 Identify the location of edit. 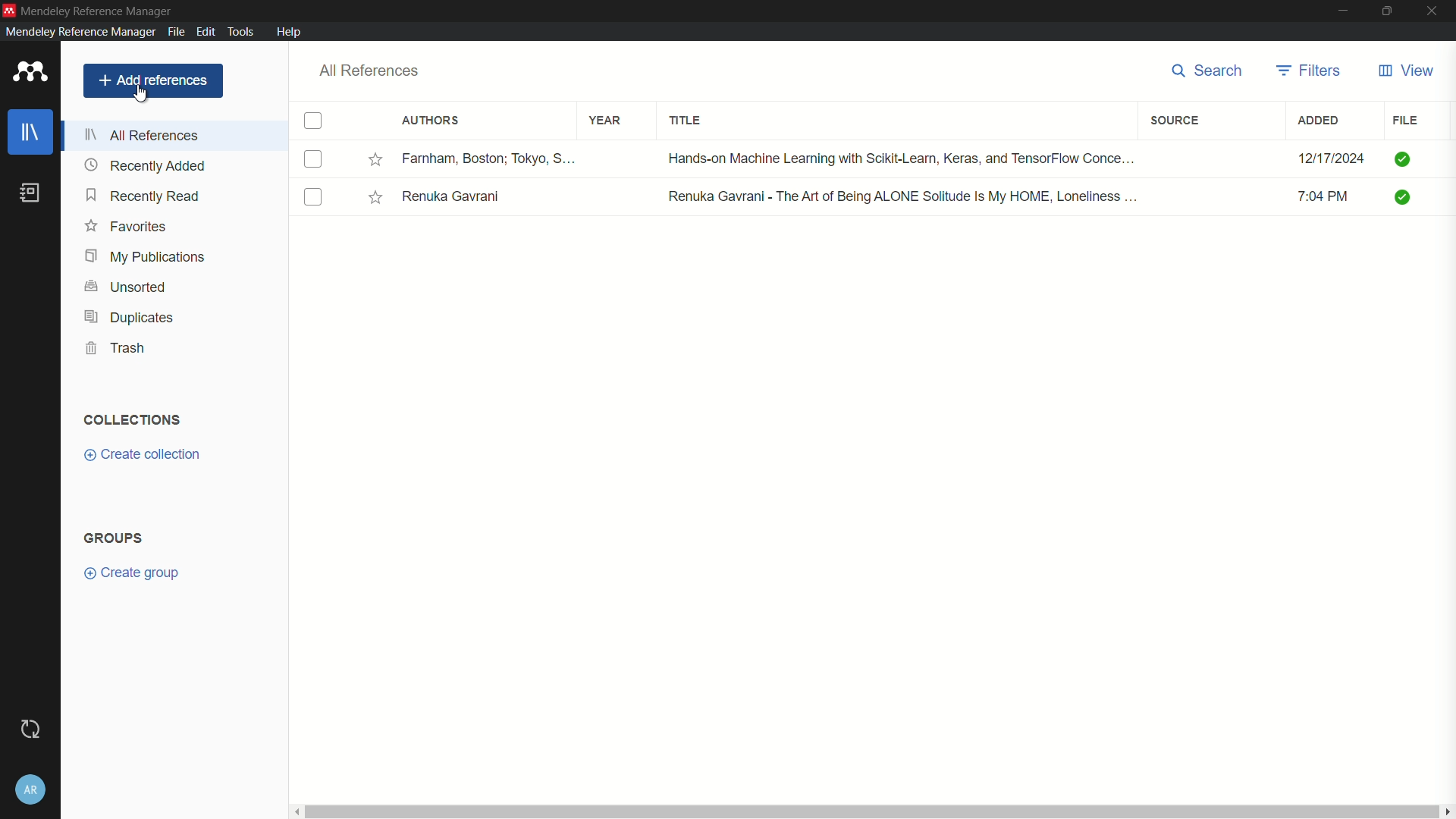
(206, 30).